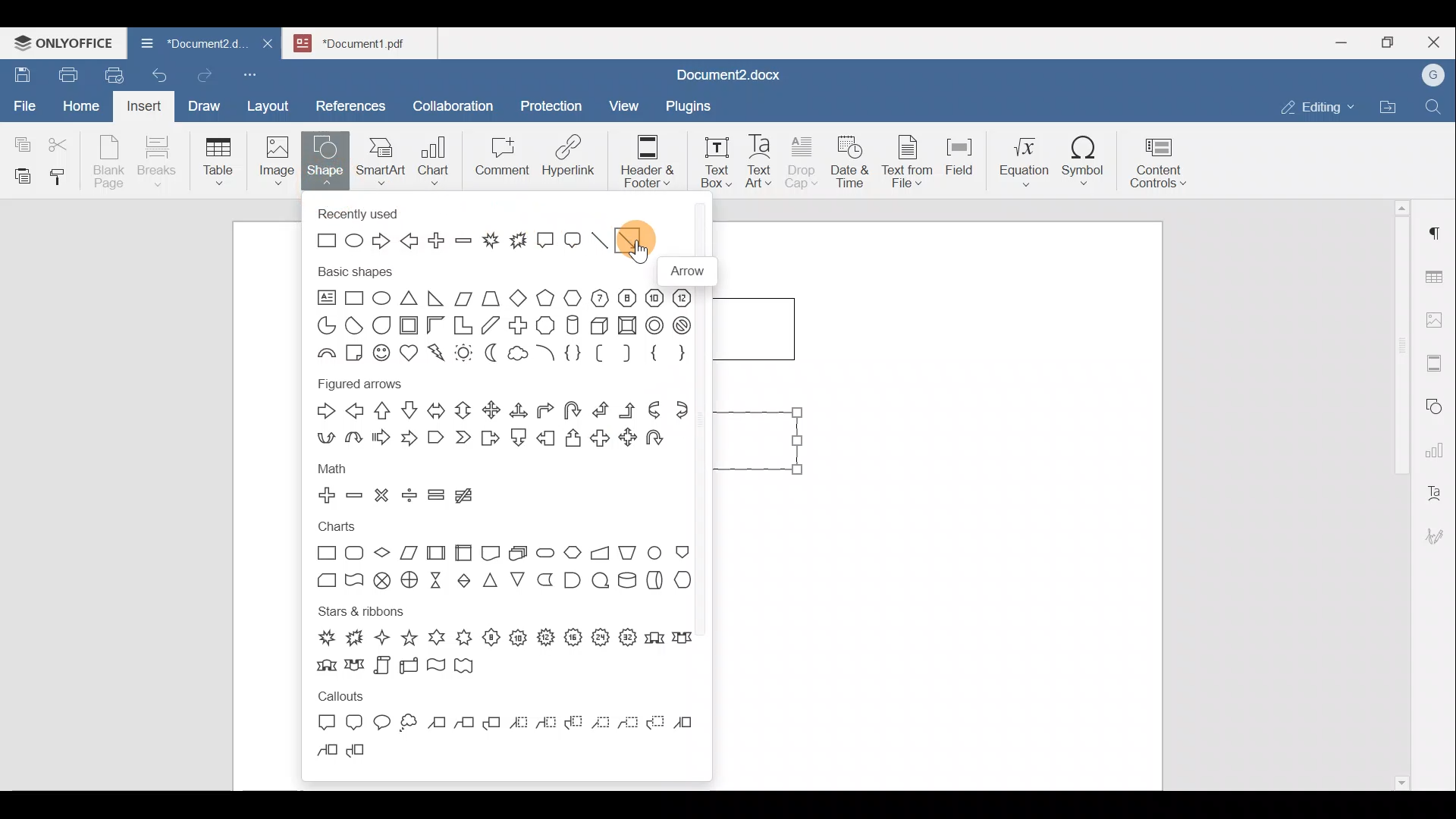 The height and width of the screenshot is (819, 1456). I want to click on Document name, so click(725, 77).